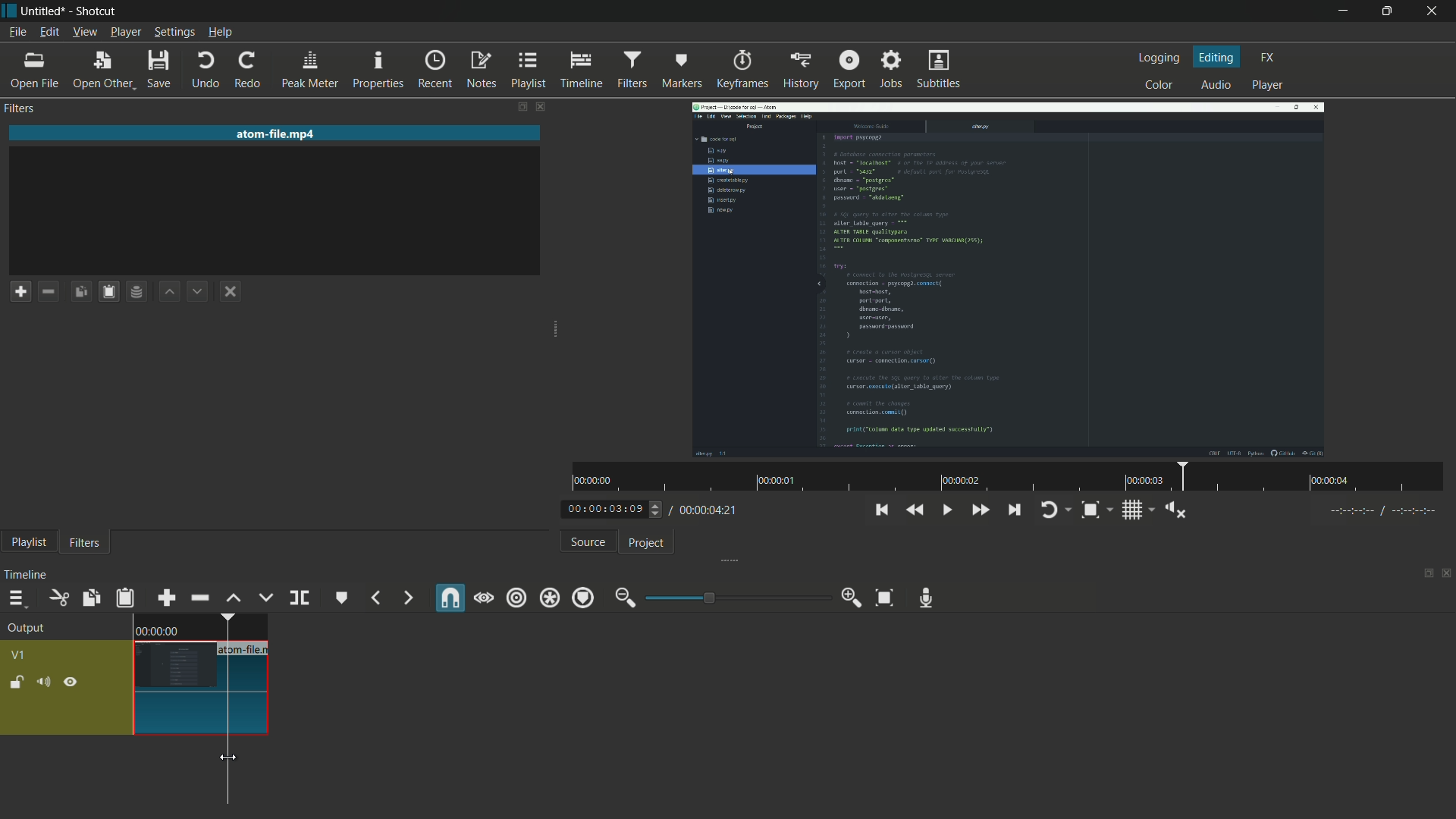 Image resolution: width=1456 pixels, height=819 pixels. I want to click on move filter down, so click(199, 291).